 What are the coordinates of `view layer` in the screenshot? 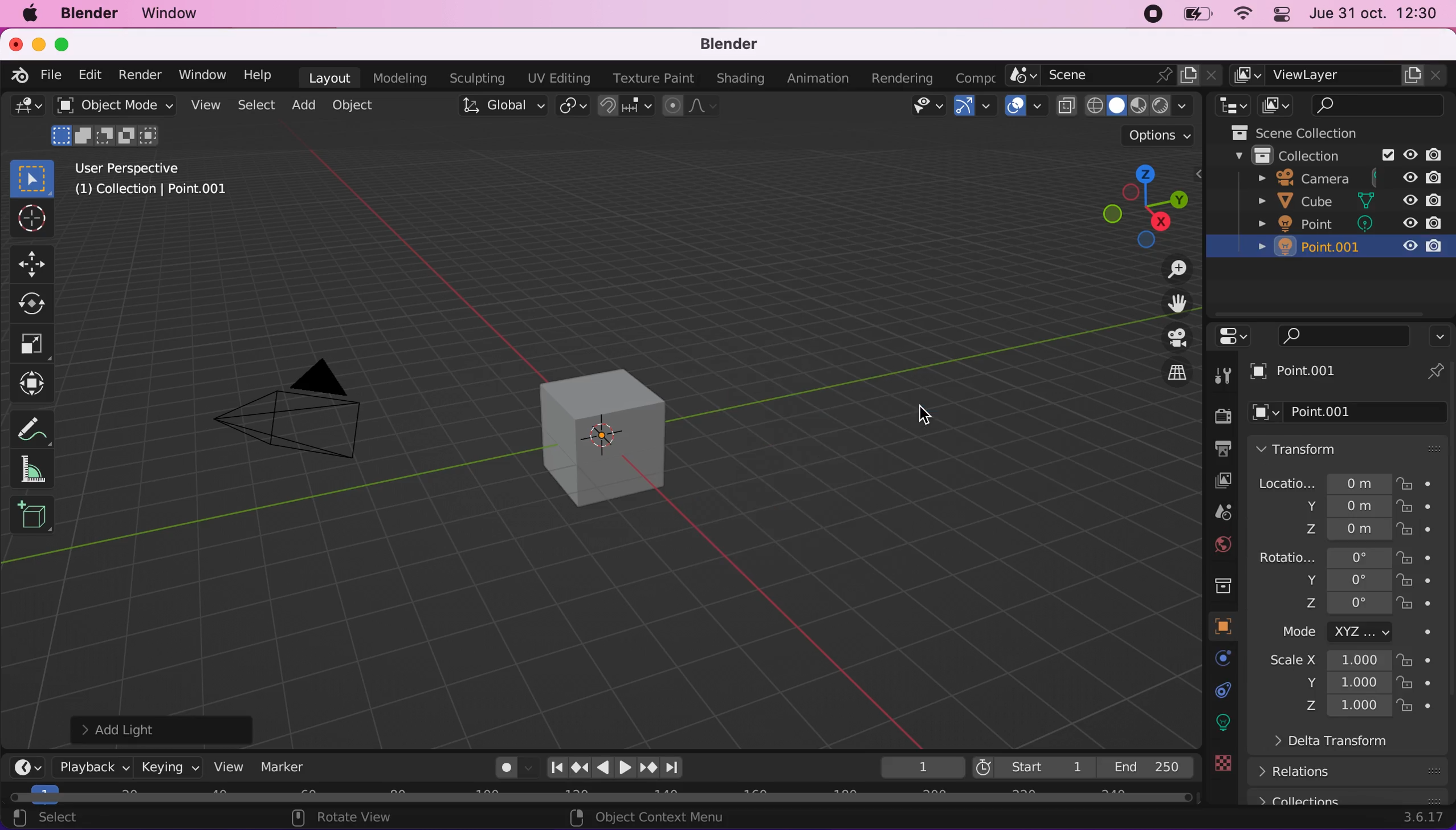 It's located at (1219, 482).